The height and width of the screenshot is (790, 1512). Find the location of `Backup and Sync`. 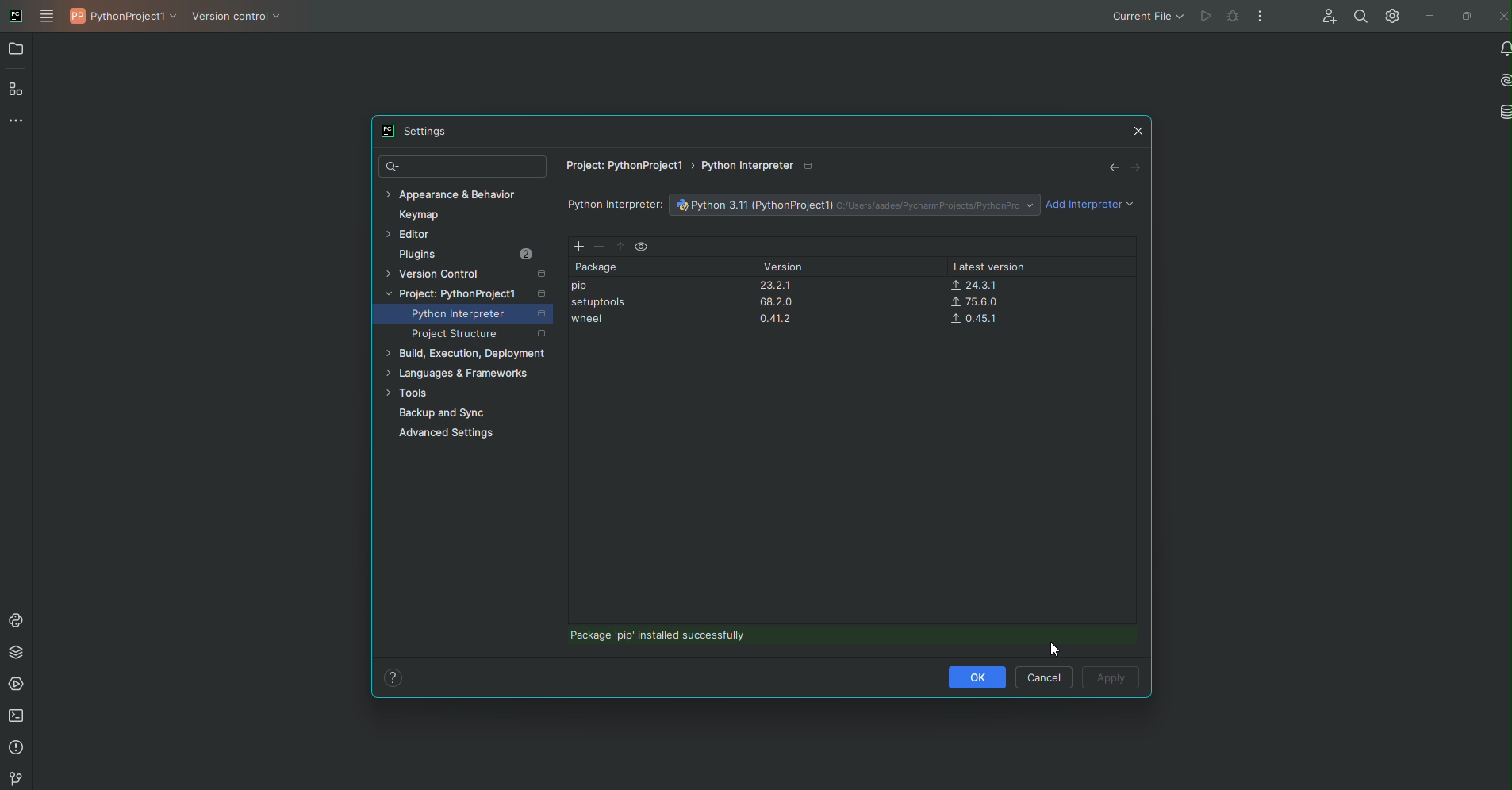

Backup and Sync is located at coordinates (443, 414).